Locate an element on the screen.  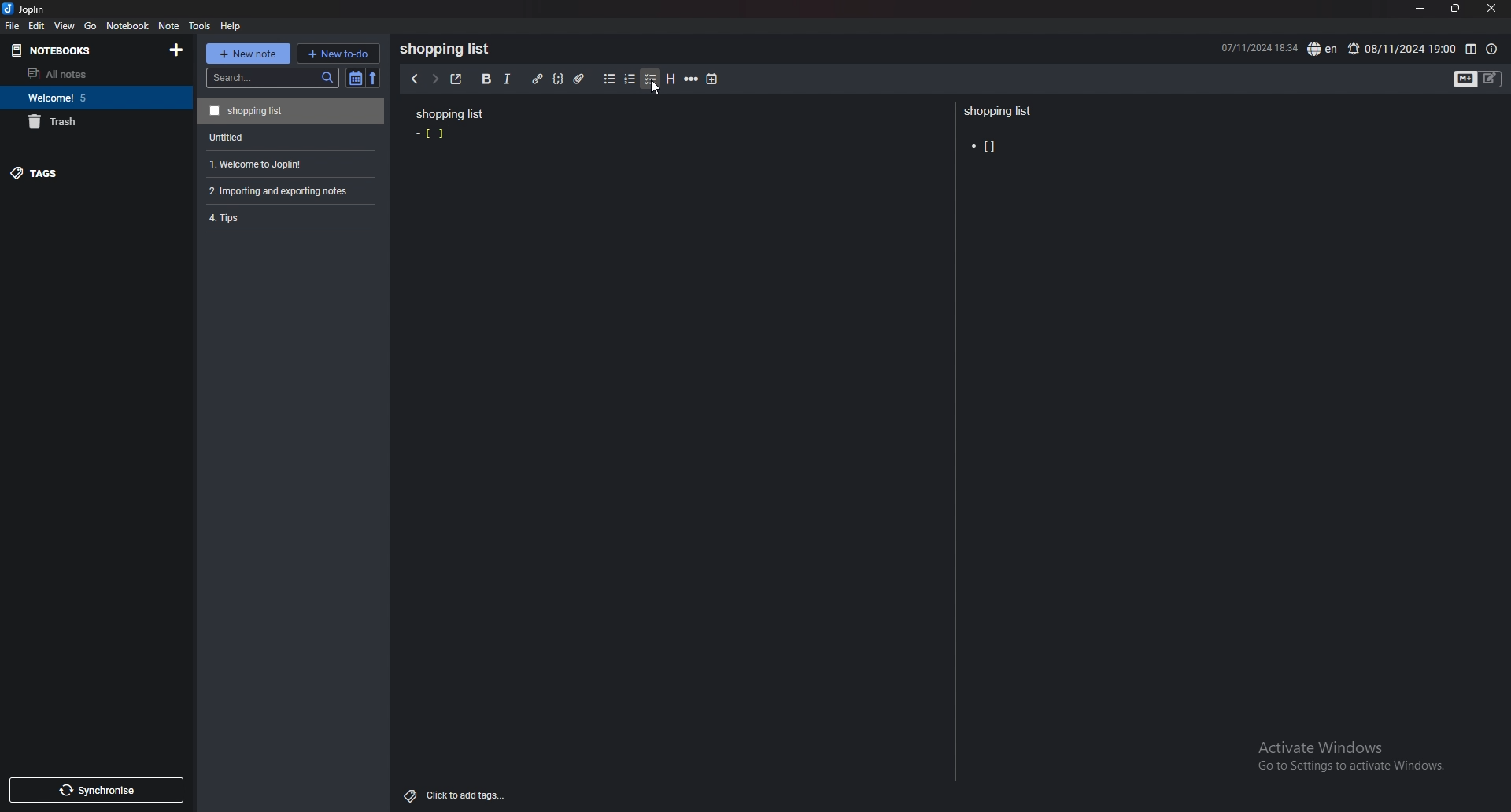
all notes is located at coordinates (89, 74).